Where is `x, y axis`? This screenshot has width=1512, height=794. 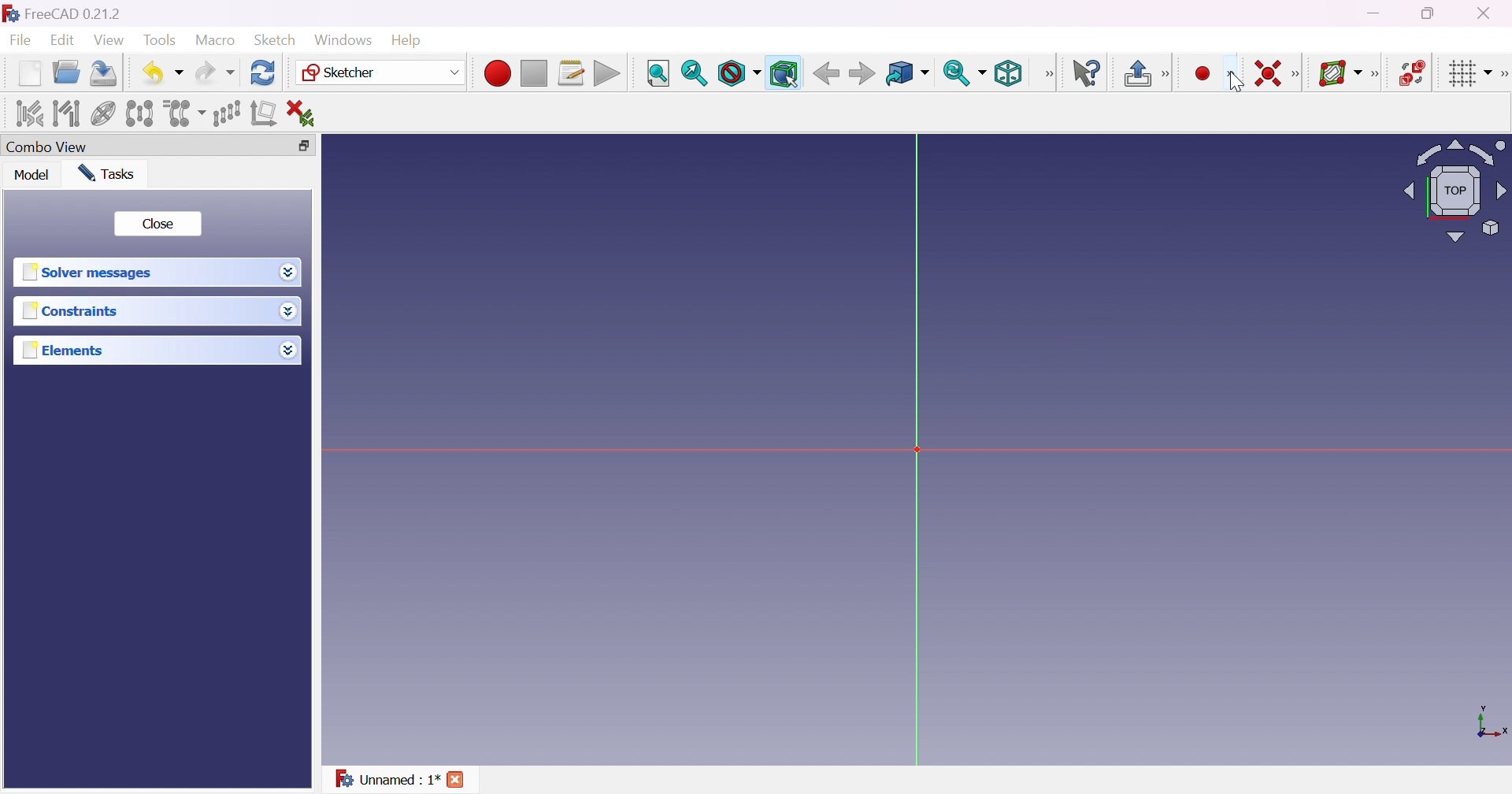 x, y axis is located at coordinates (1490, 724).